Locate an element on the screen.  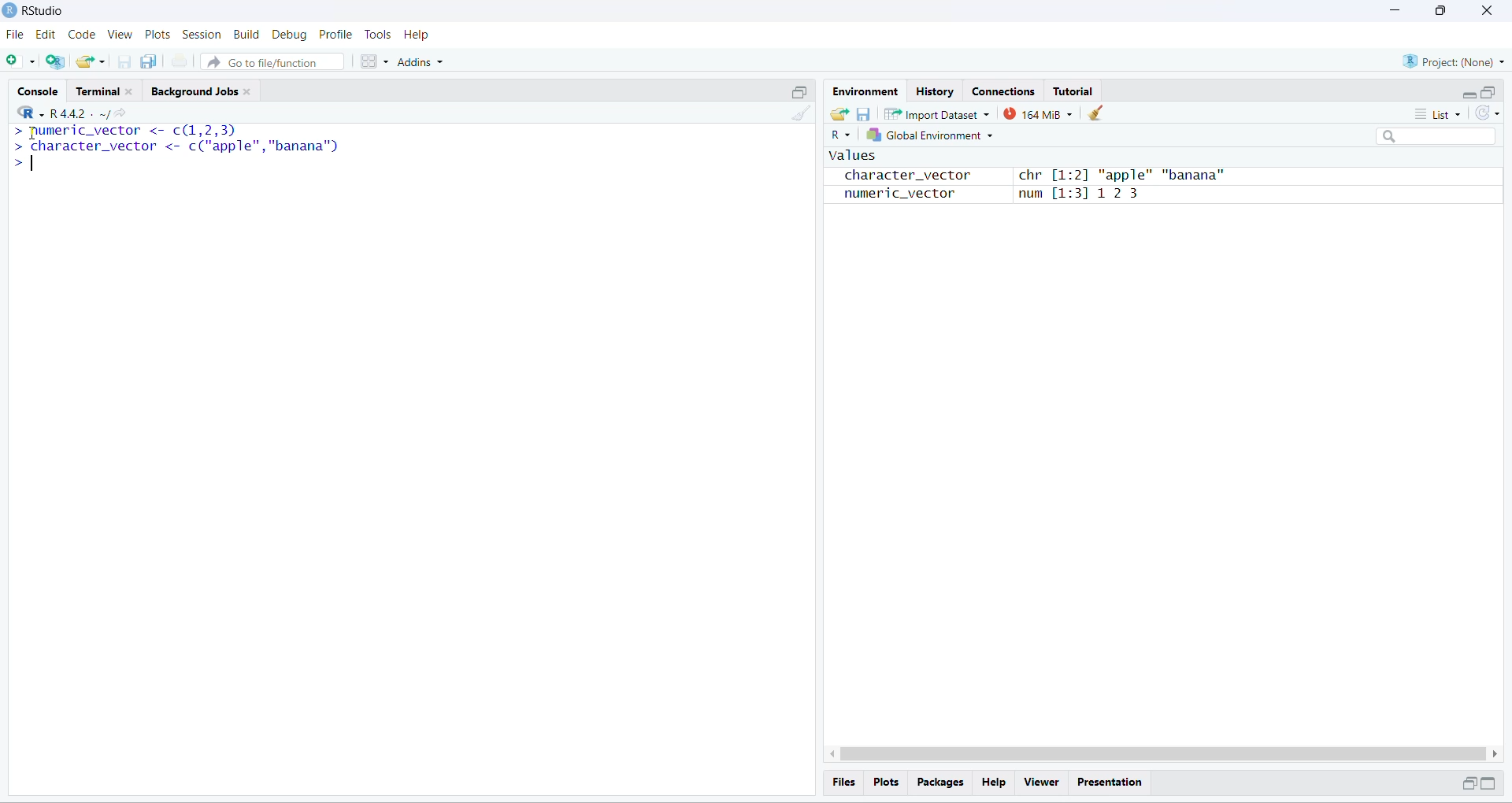
maximize is located at coordinates (1489, 783).